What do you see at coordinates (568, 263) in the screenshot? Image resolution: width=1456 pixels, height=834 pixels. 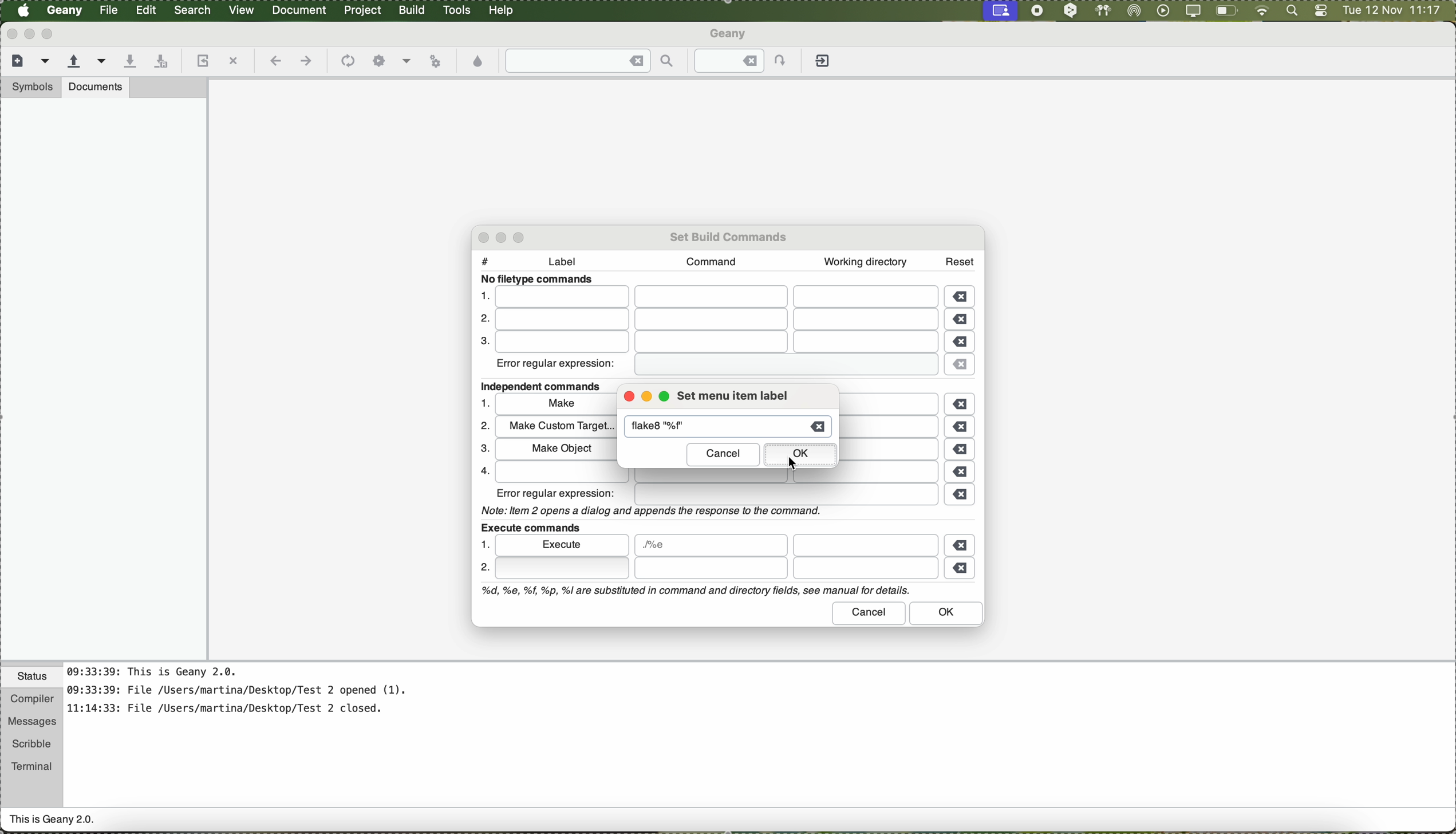 I see `label` at bounding box center [568, 263].